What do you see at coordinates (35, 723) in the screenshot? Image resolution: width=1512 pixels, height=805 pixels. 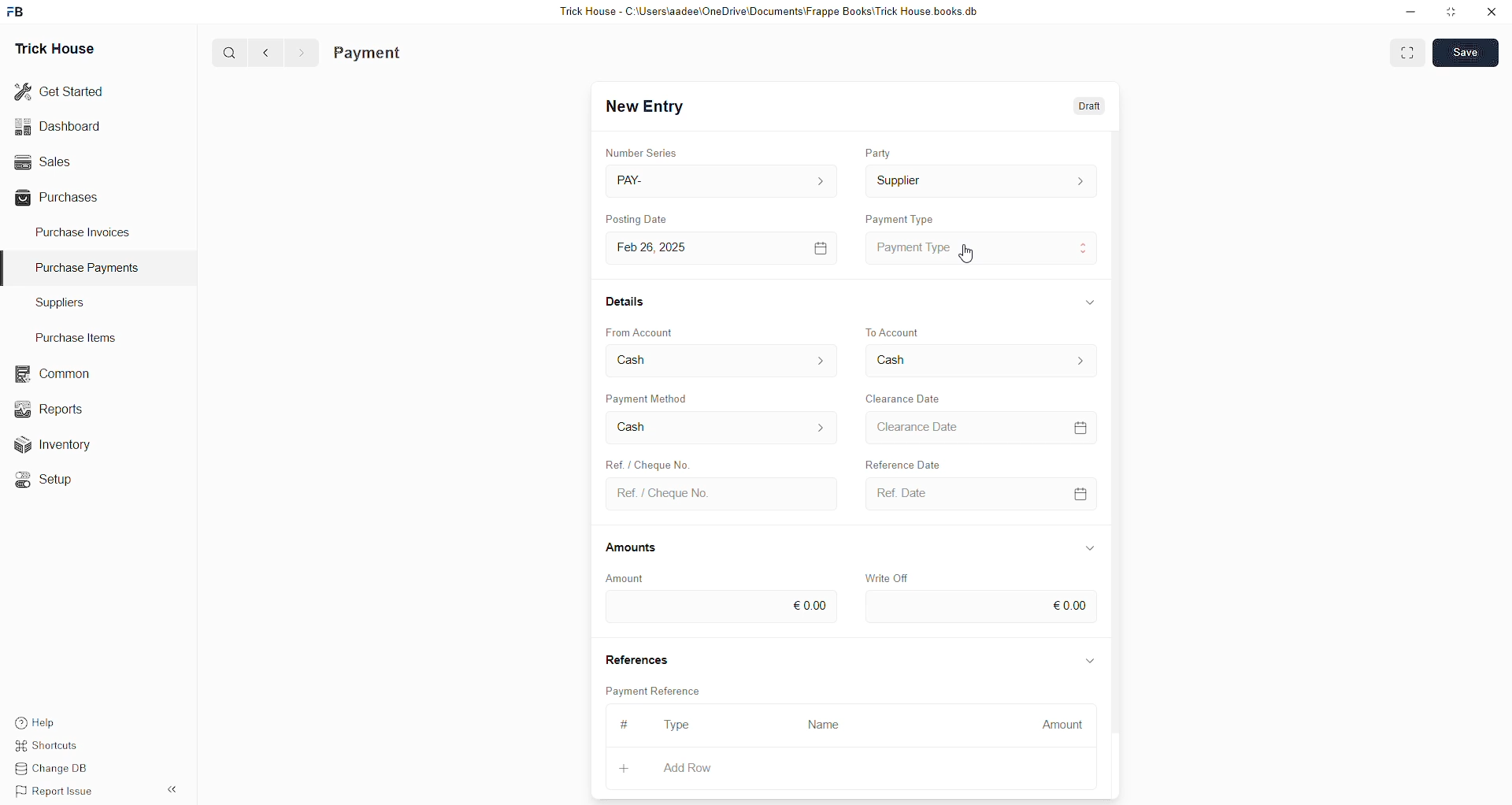 I see `Help` at bounding box center [35, 723].